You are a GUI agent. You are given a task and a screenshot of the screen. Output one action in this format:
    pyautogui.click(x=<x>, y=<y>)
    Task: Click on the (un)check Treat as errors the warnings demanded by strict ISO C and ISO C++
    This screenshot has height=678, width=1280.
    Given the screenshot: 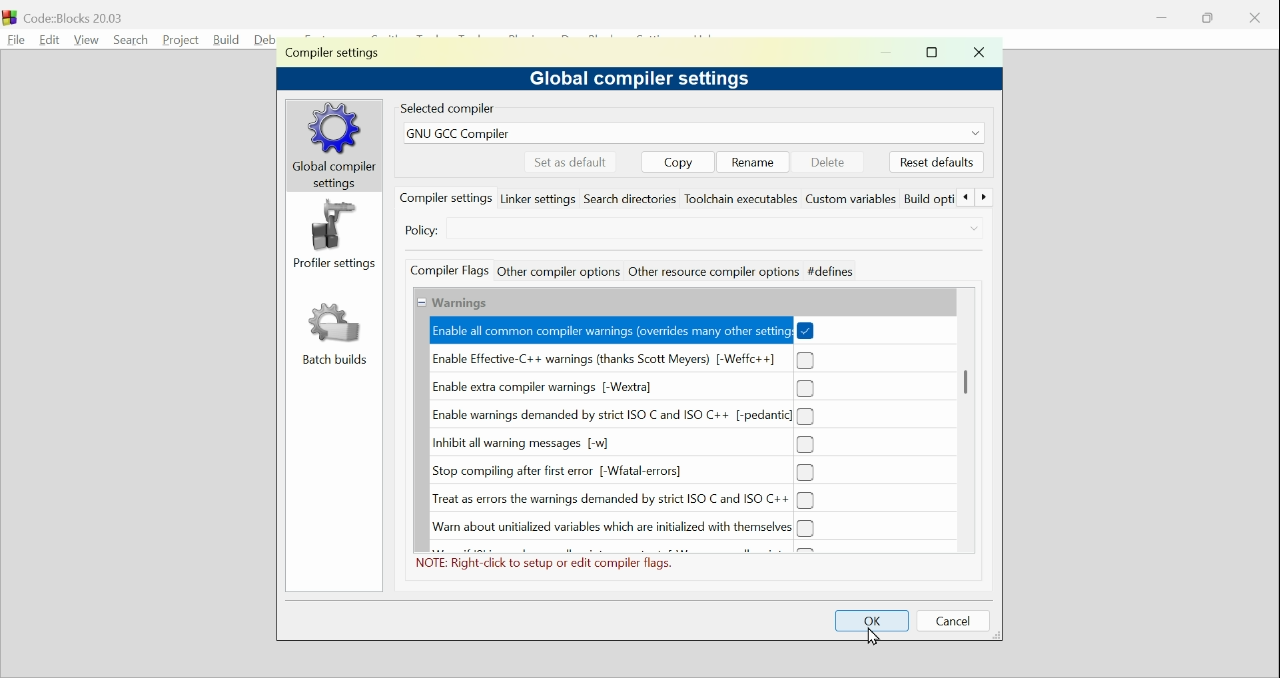 What is the action you would take?
    pyautogui.click(x=624, y=500)
    